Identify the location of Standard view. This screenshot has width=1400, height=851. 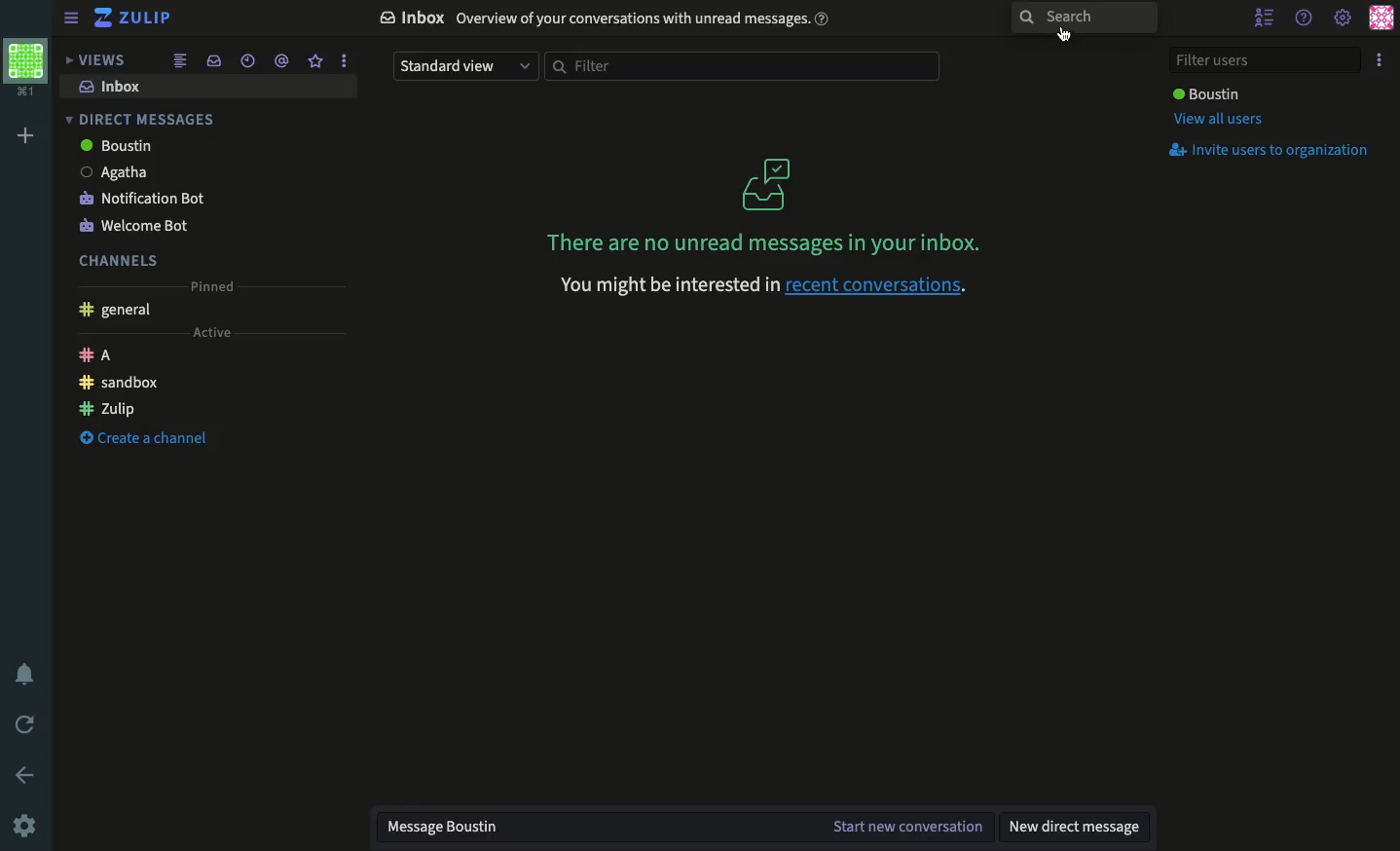
(462, 67).